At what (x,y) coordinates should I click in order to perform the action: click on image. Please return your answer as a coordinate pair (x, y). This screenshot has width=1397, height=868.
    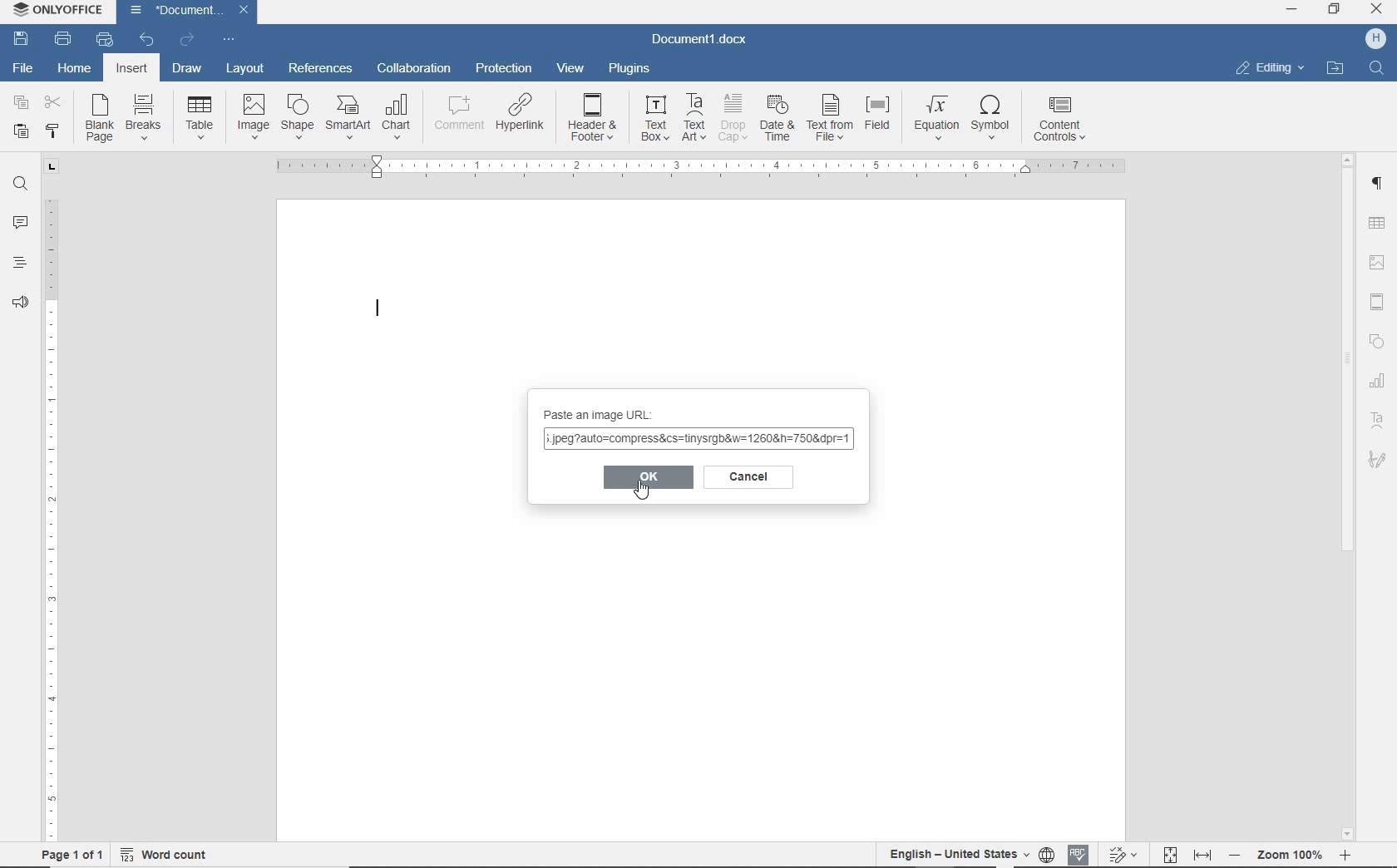
    Looking at the image, I should click on (1379, 262).